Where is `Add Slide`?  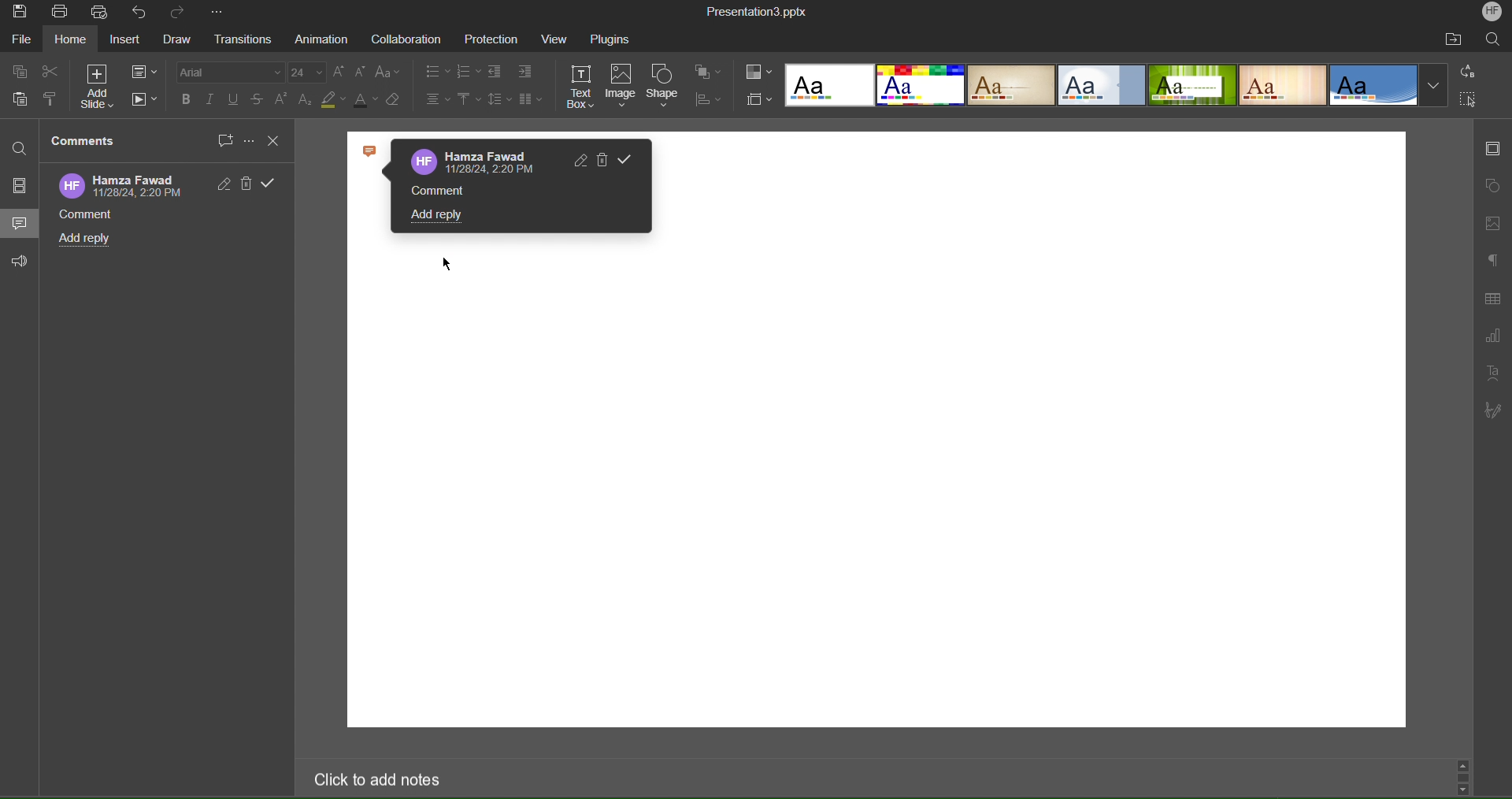
Add Slide is located at coordinates (100, 87).